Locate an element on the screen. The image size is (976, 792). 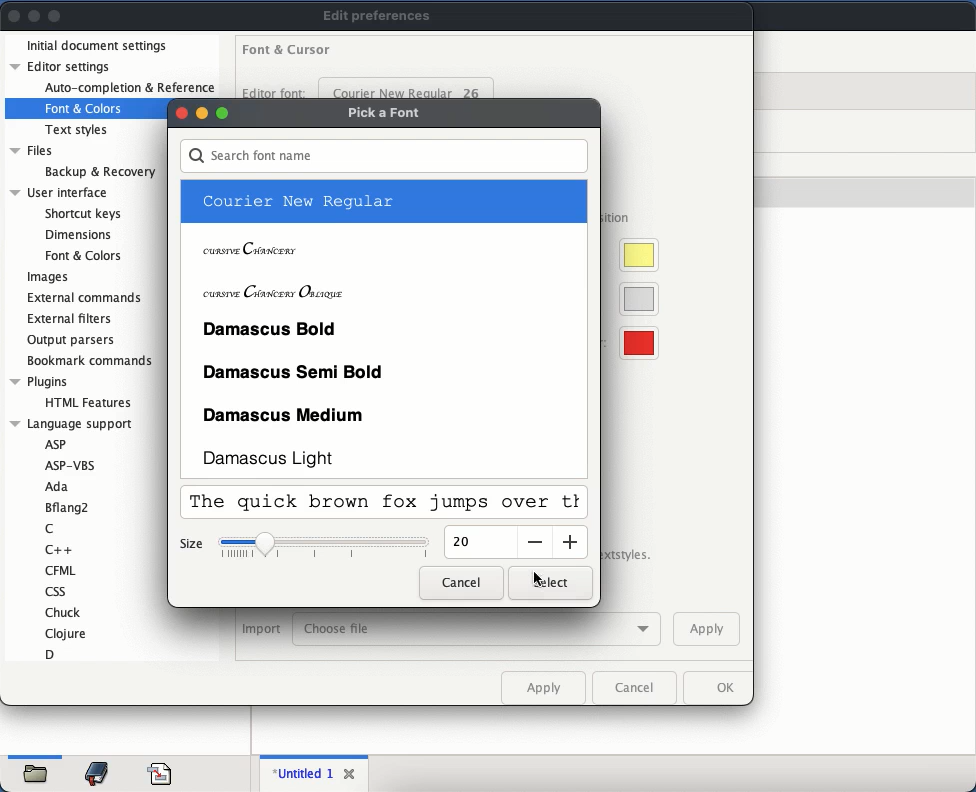
User interface is located at coordinates (58, 191).